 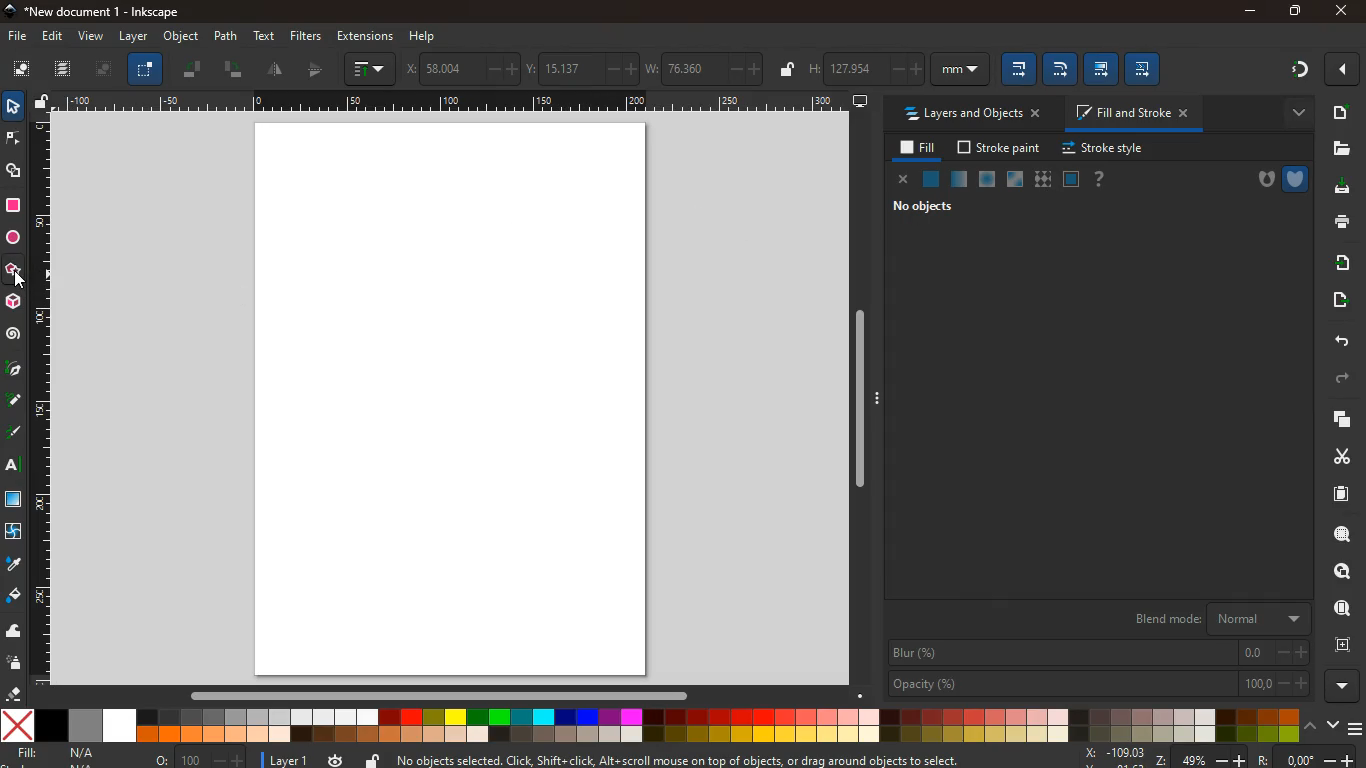 I want to click on tilt, so click(x=196, y=72).